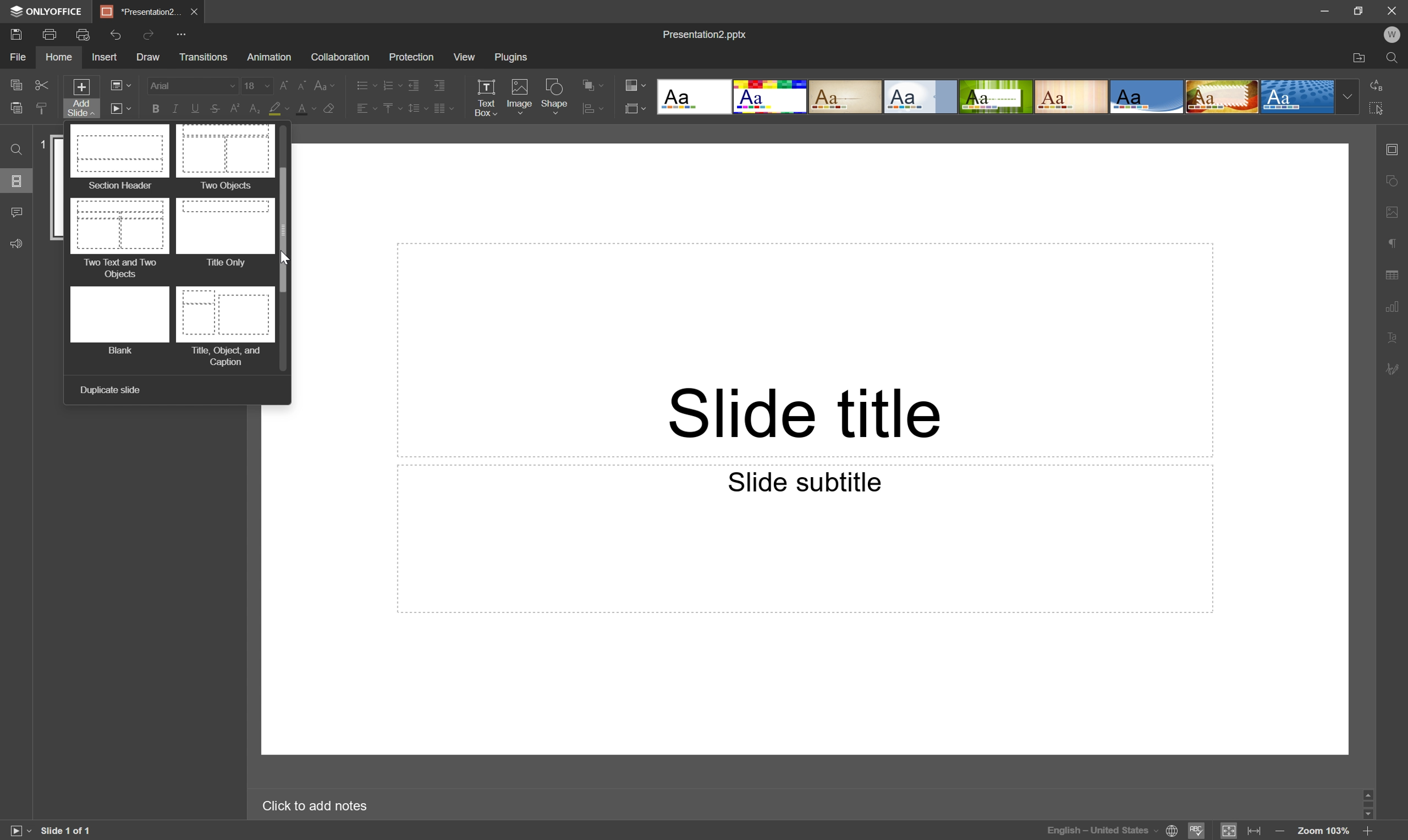  I want to click on *Presentation2..., so click(139, 11).